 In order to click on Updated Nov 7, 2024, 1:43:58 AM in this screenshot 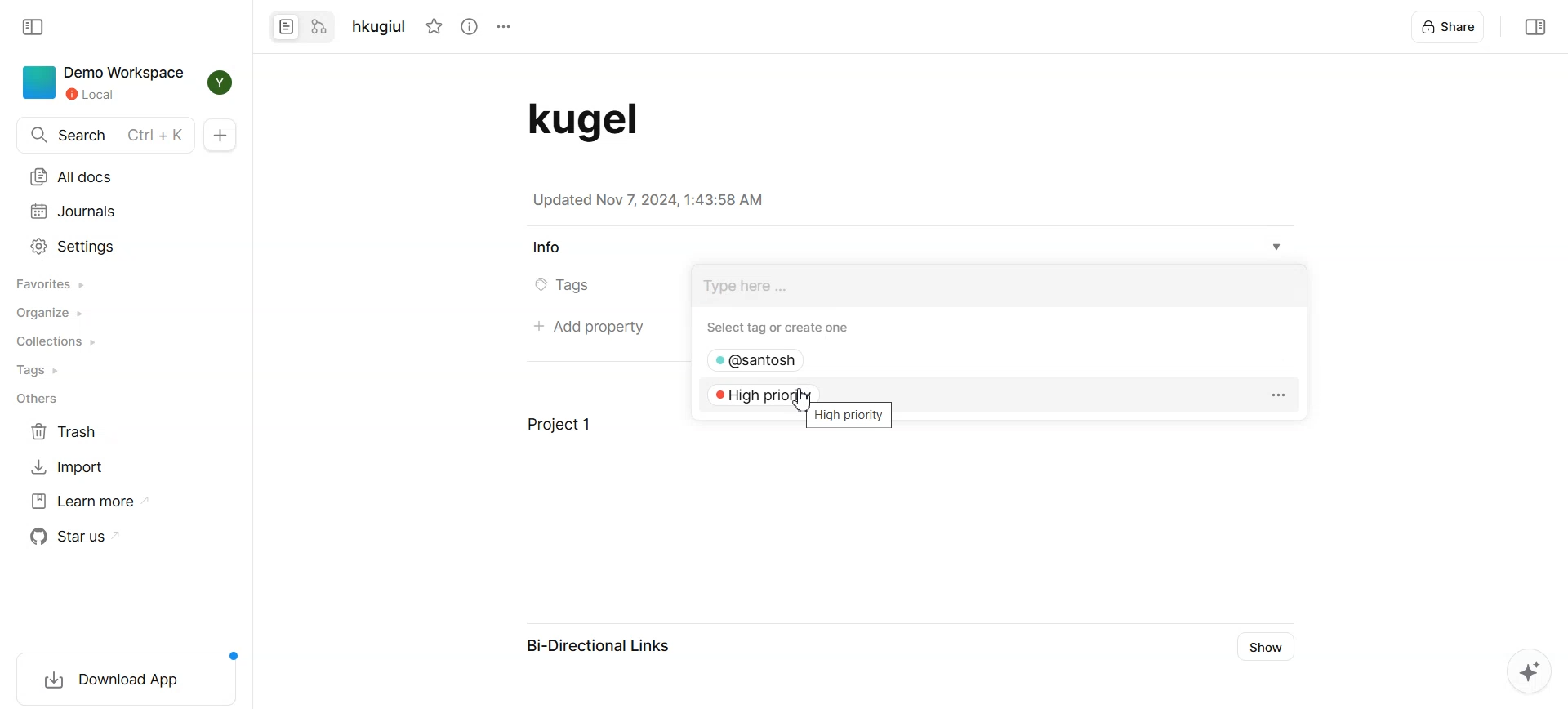, I will do `click(651, 201)`.